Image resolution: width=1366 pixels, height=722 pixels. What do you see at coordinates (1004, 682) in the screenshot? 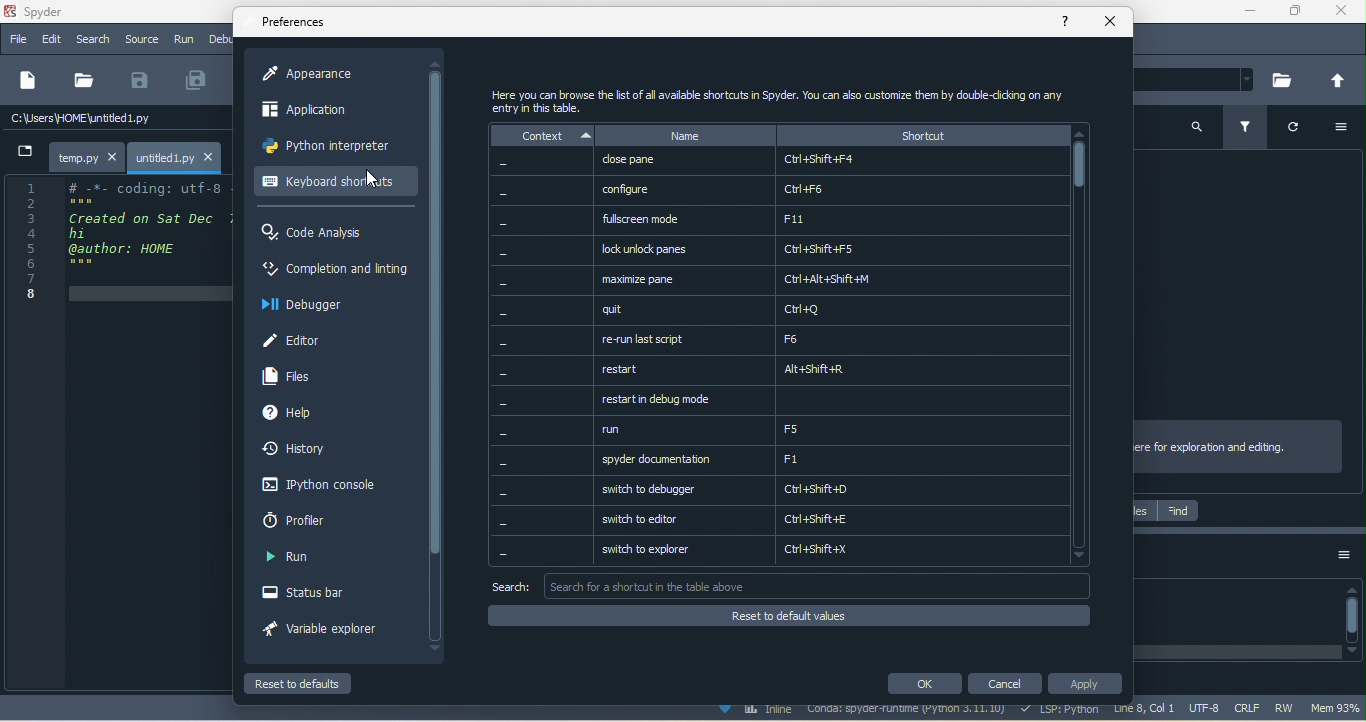
I see `cancel` at bounding box center [1004, 682].